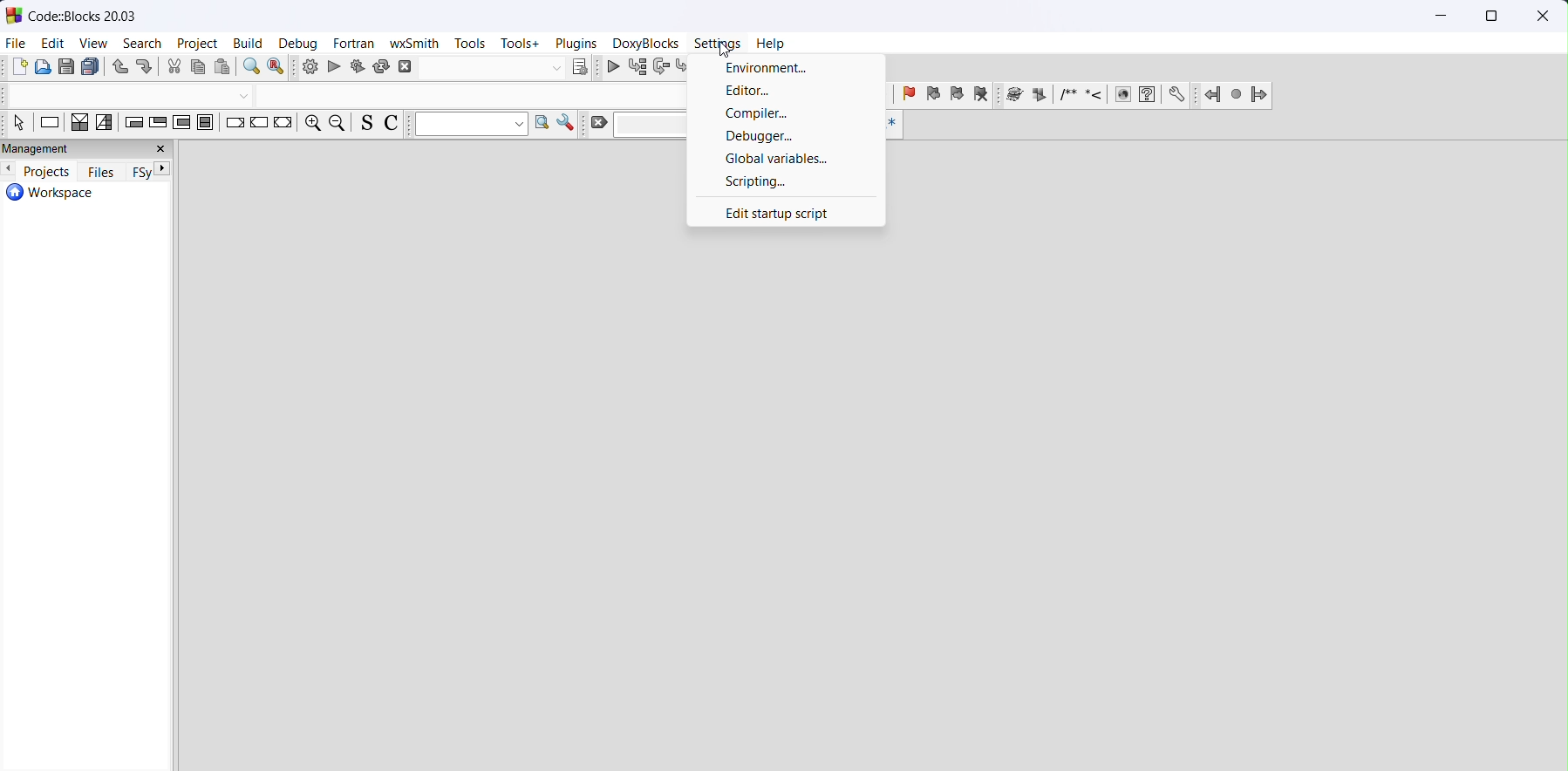  What do you see at coordinates (200, 44) in the screenshot?
I see `project` at bounding box center [200, 44].